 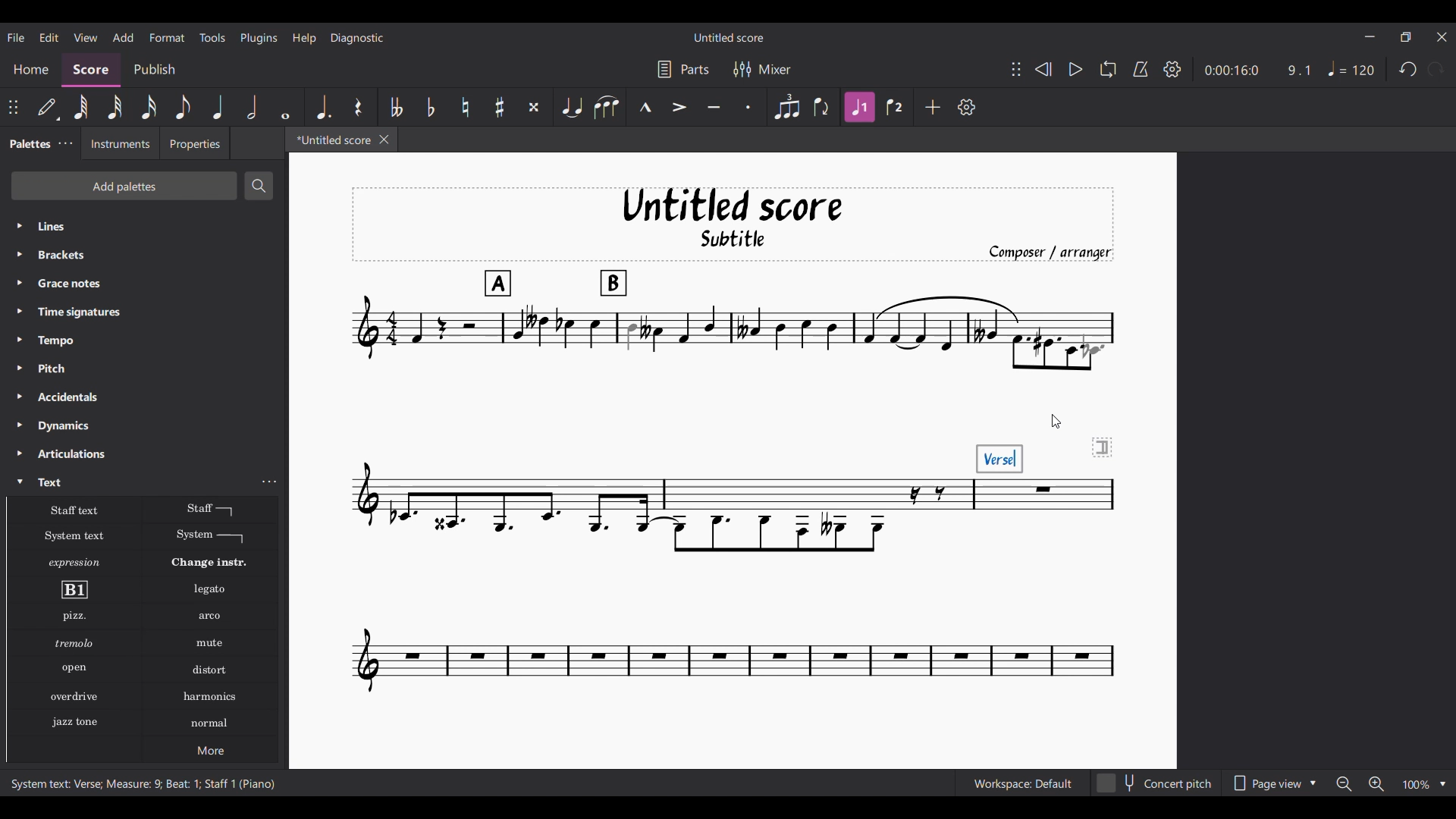 I want to click on Format menu, so click(x=168, y=37).